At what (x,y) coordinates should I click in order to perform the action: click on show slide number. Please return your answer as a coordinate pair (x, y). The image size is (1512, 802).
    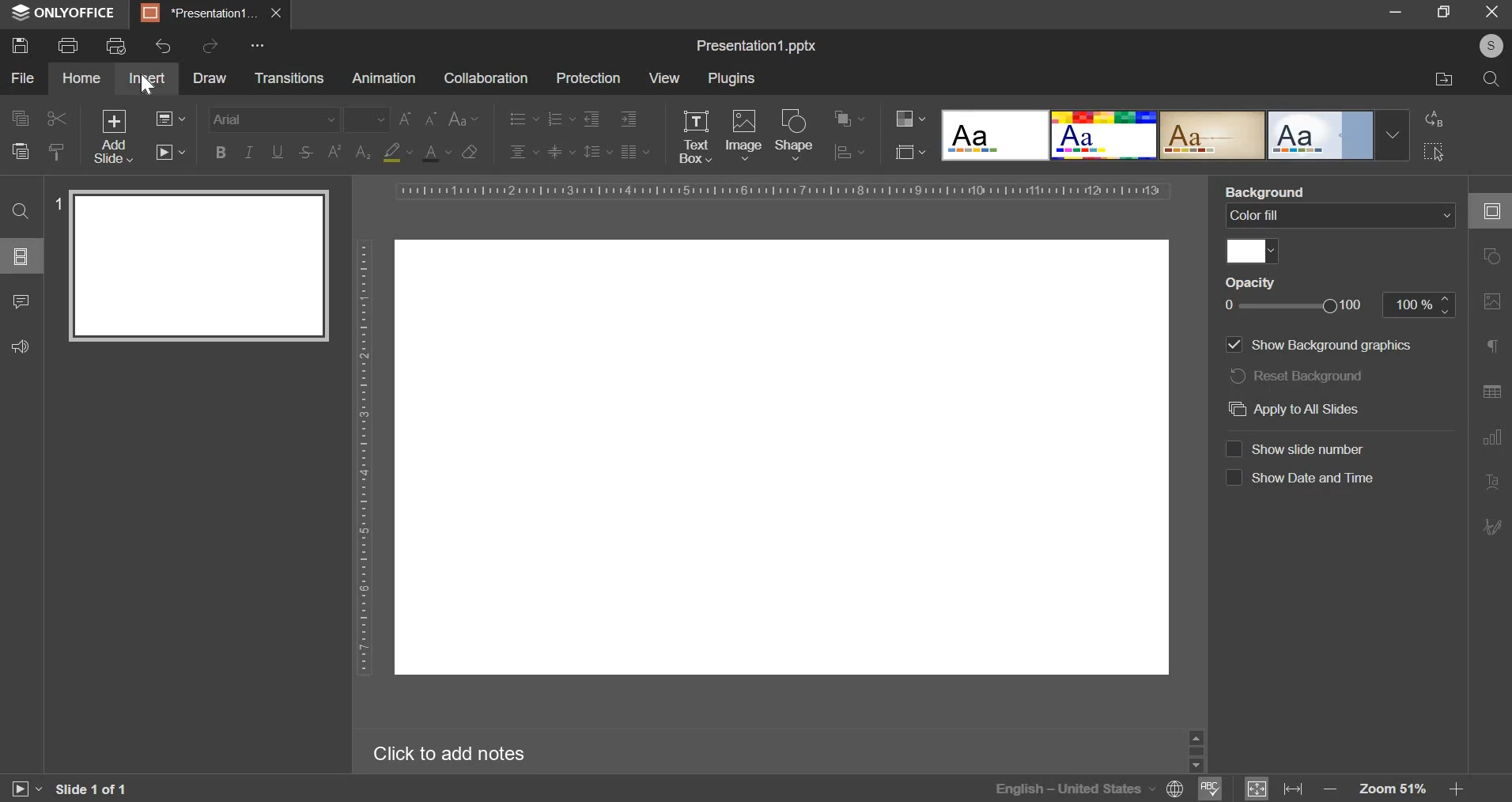
    Looking at the image, I should click on (1308, 448).